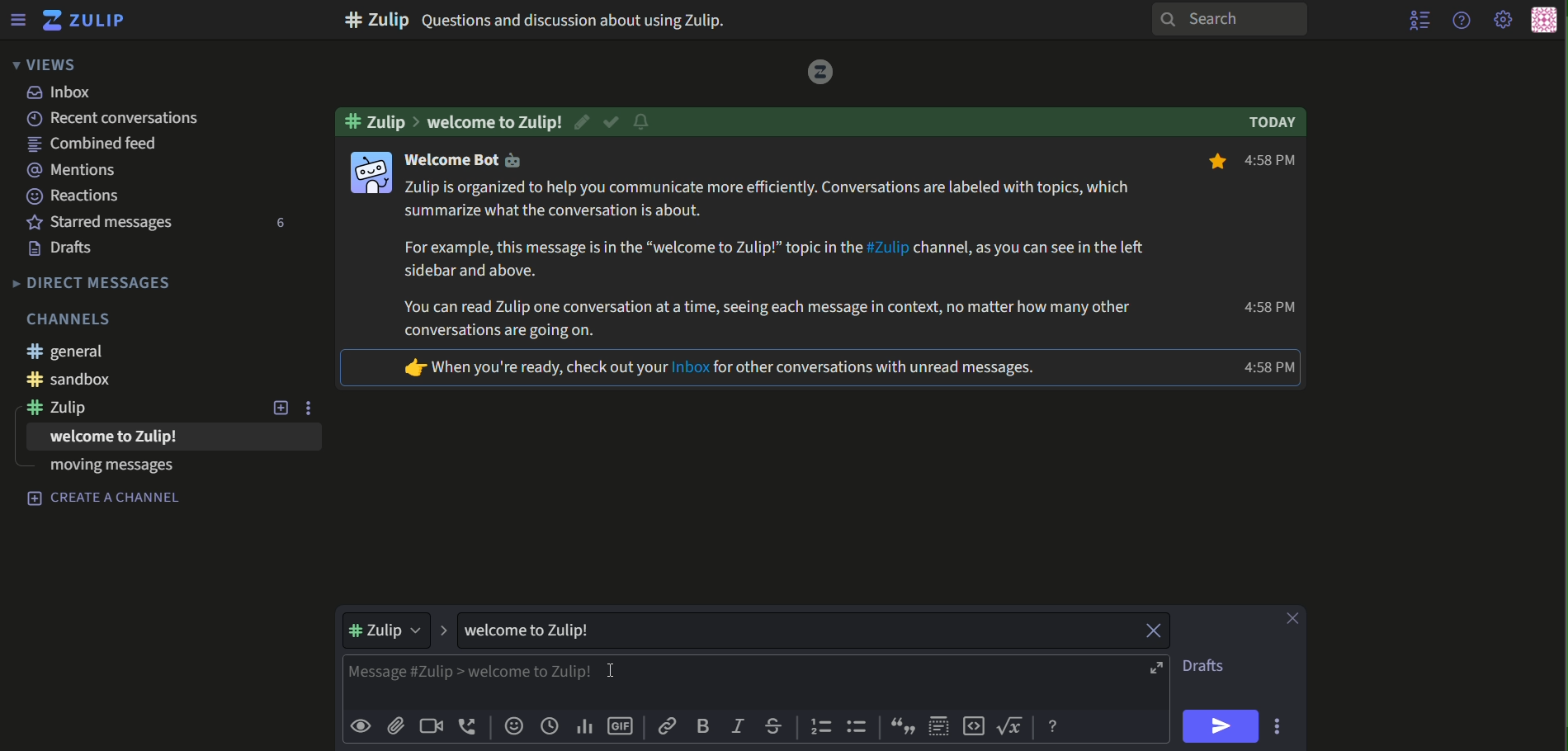 The width and height of the screenshot is (1568, 751). What do you see at coordinates (1213, 163) in the screenshot?
I see `bookmark` at bounding box center [1213, 163].